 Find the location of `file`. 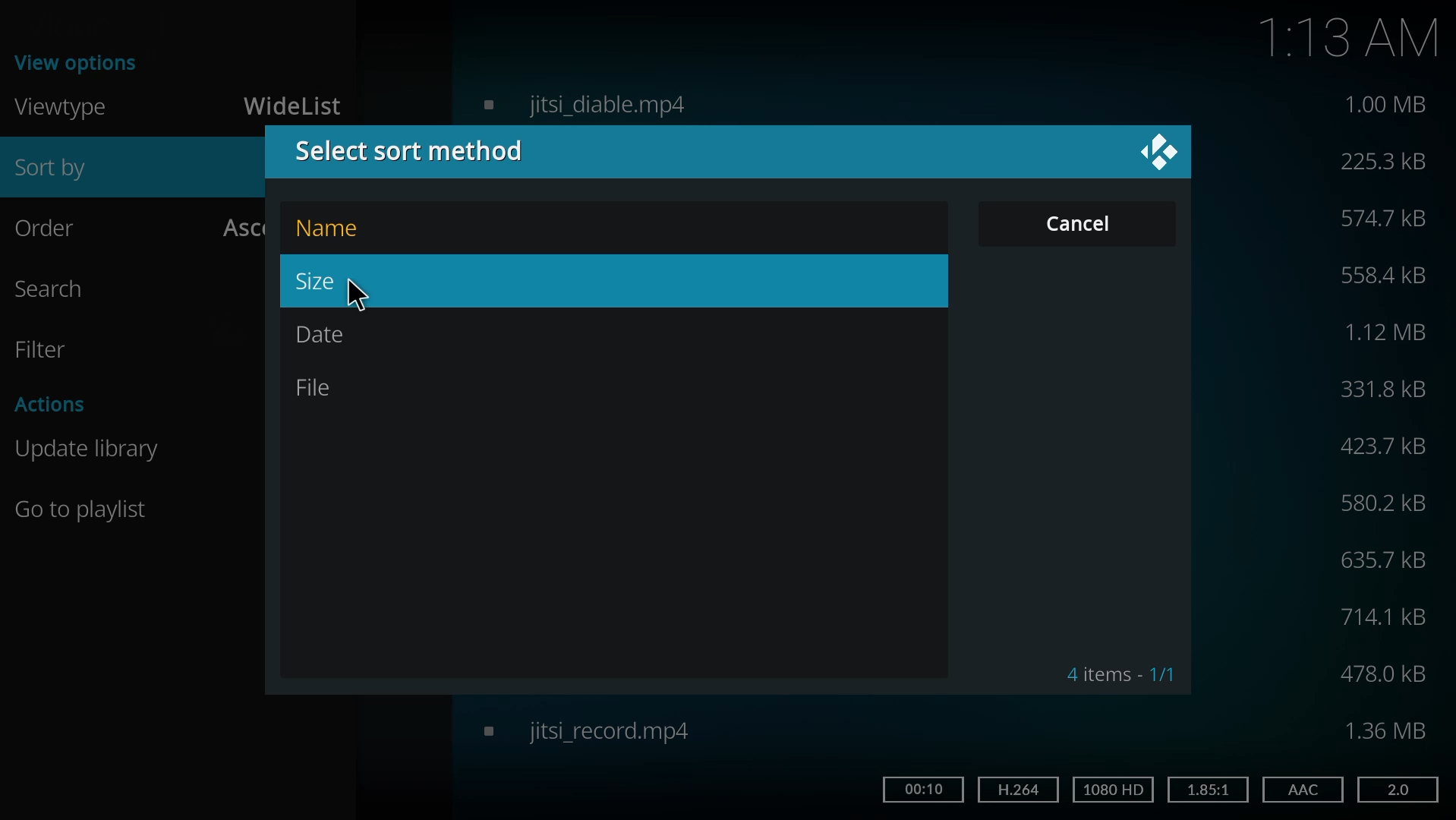

file is located at coordinates (615, 389).